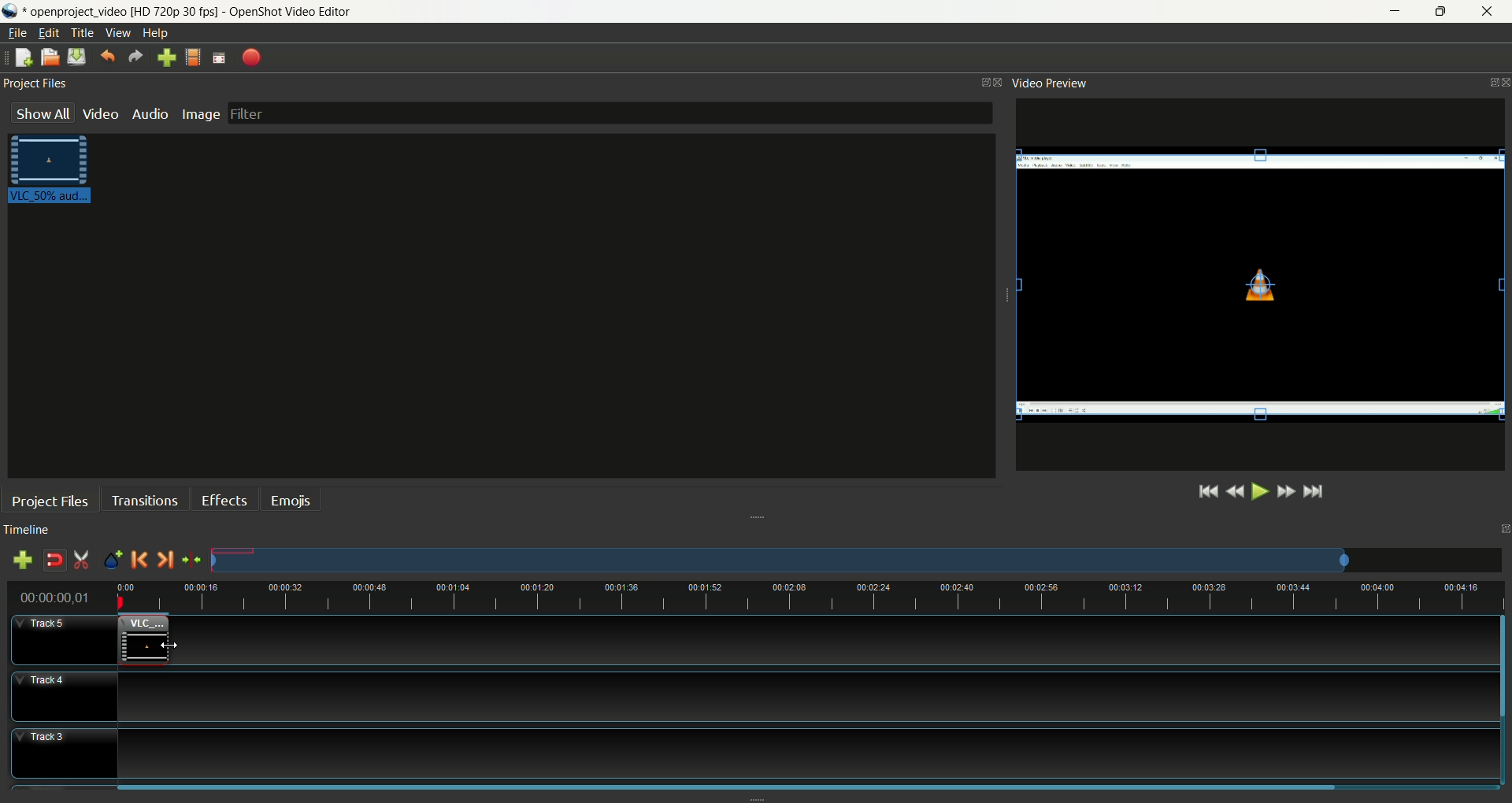 Image resolution: width=1512 pixels, height=803 pixels. What do you see at coordinates (1054, 85) in the screenshot?
I see `video preview` at bounding box center [1054, 85].